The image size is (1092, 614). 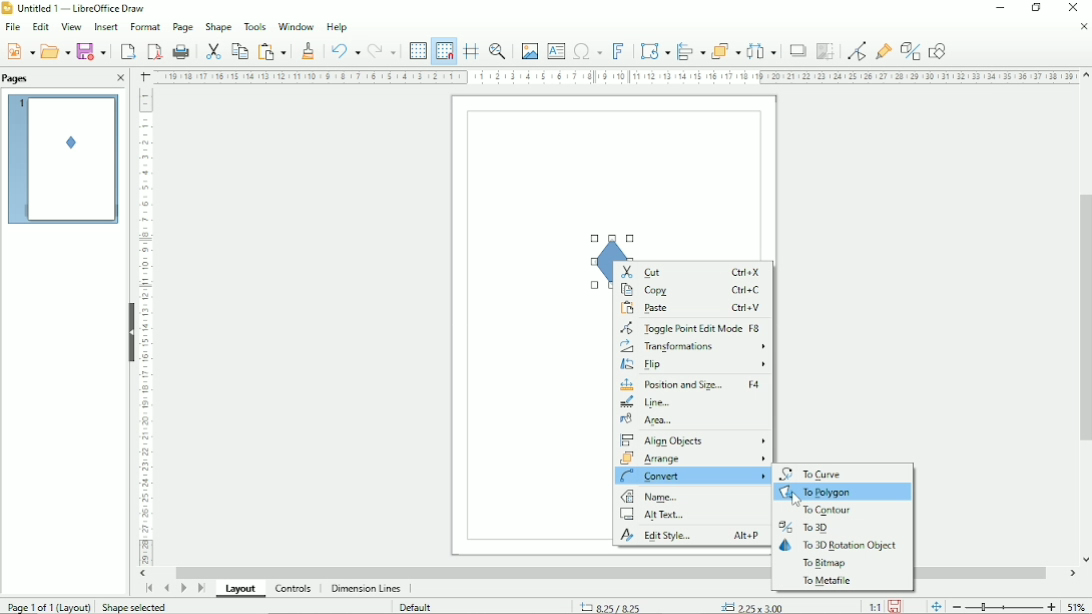 What do you see at coordinates (343, 49) in the screenshot?
I see `Undo` at bounding box center [343, 49].